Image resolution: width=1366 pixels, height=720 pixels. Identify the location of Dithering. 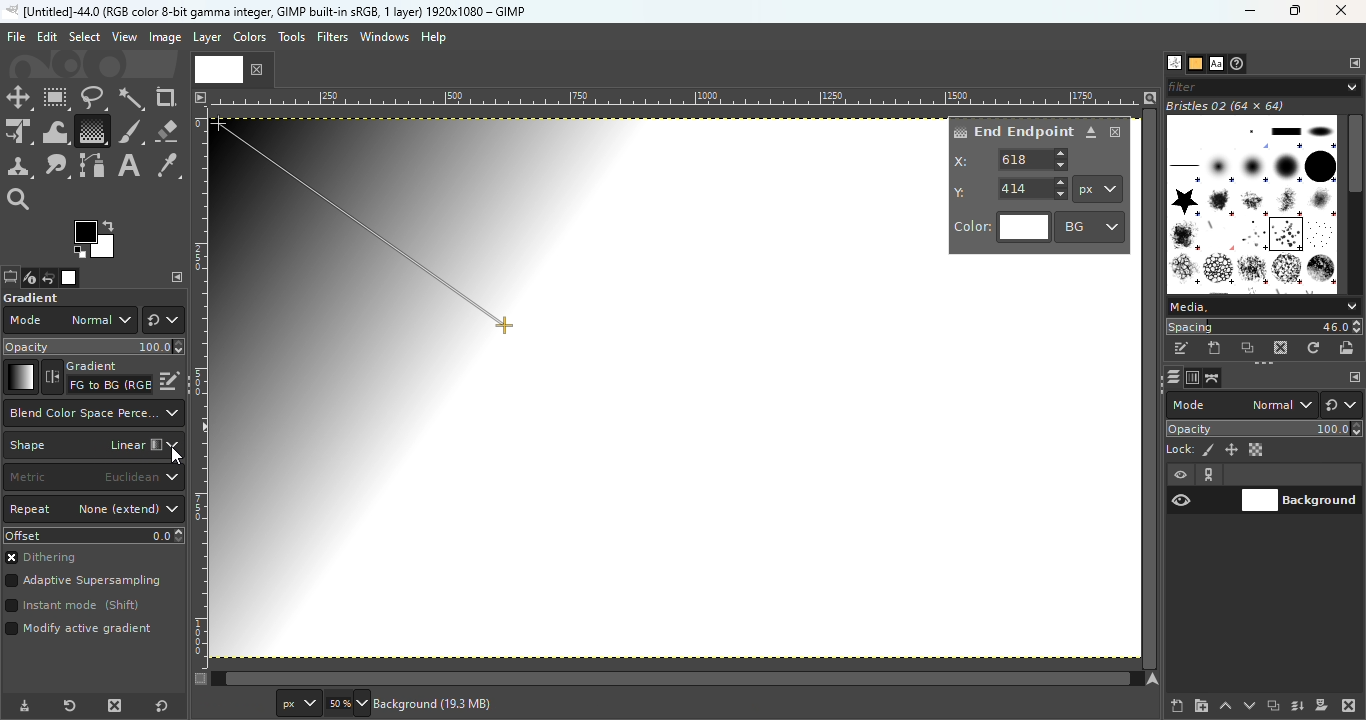
(49, 559).